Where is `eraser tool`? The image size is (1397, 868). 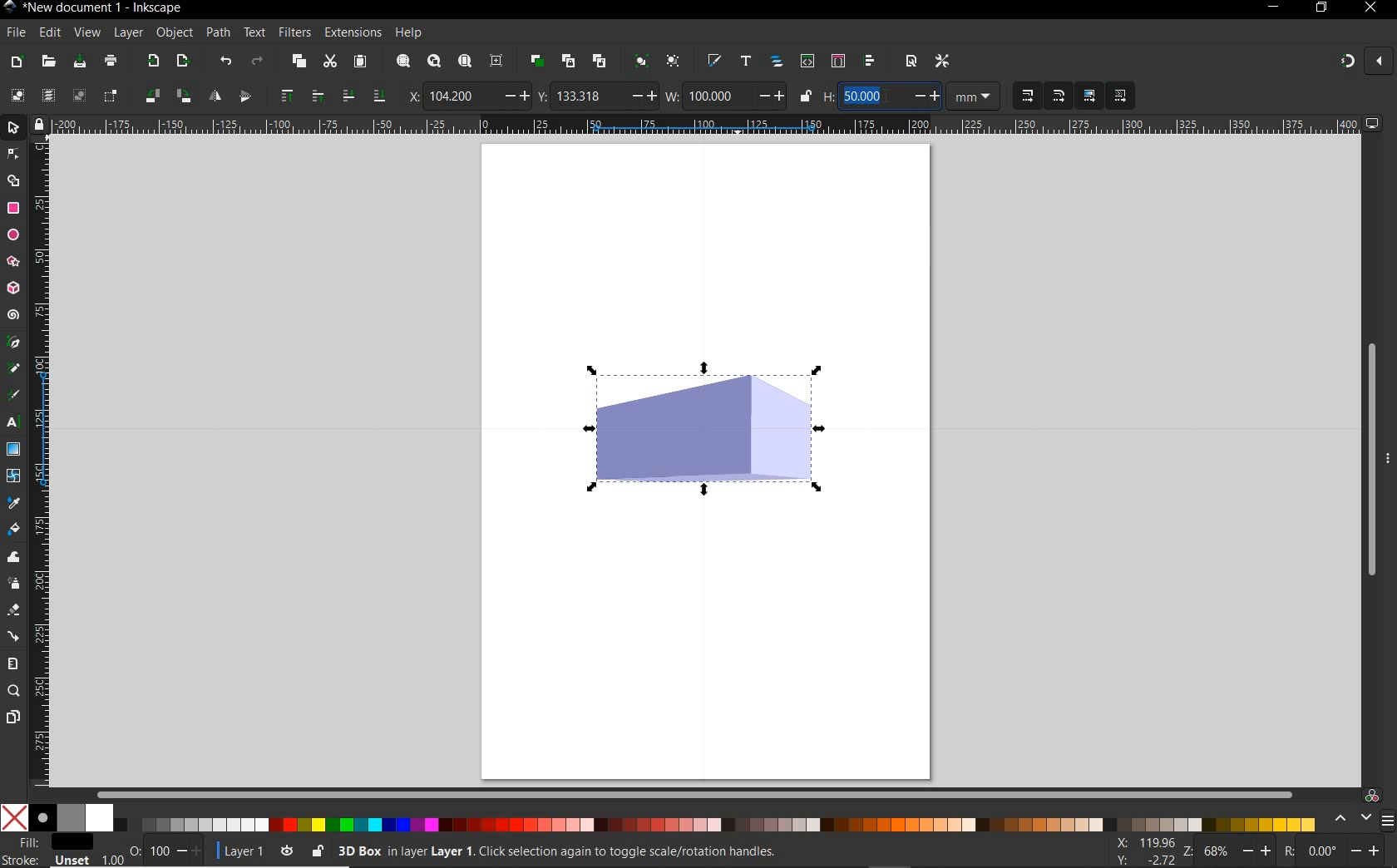 eraser tool is located at coordinates (14, 610).